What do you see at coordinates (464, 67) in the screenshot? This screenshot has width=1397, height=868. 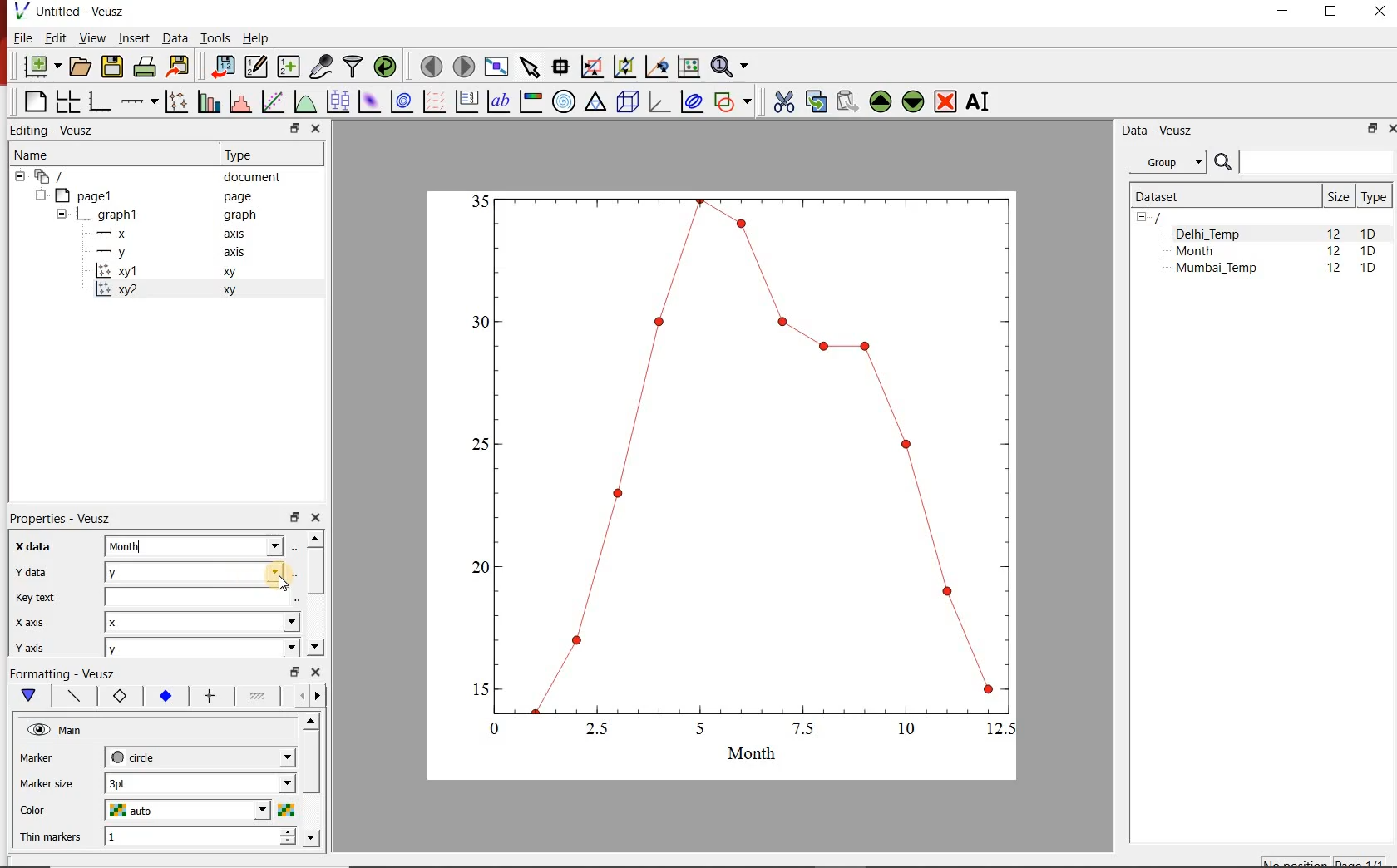 I see `move to the next page` at bounding box center [464, 67].